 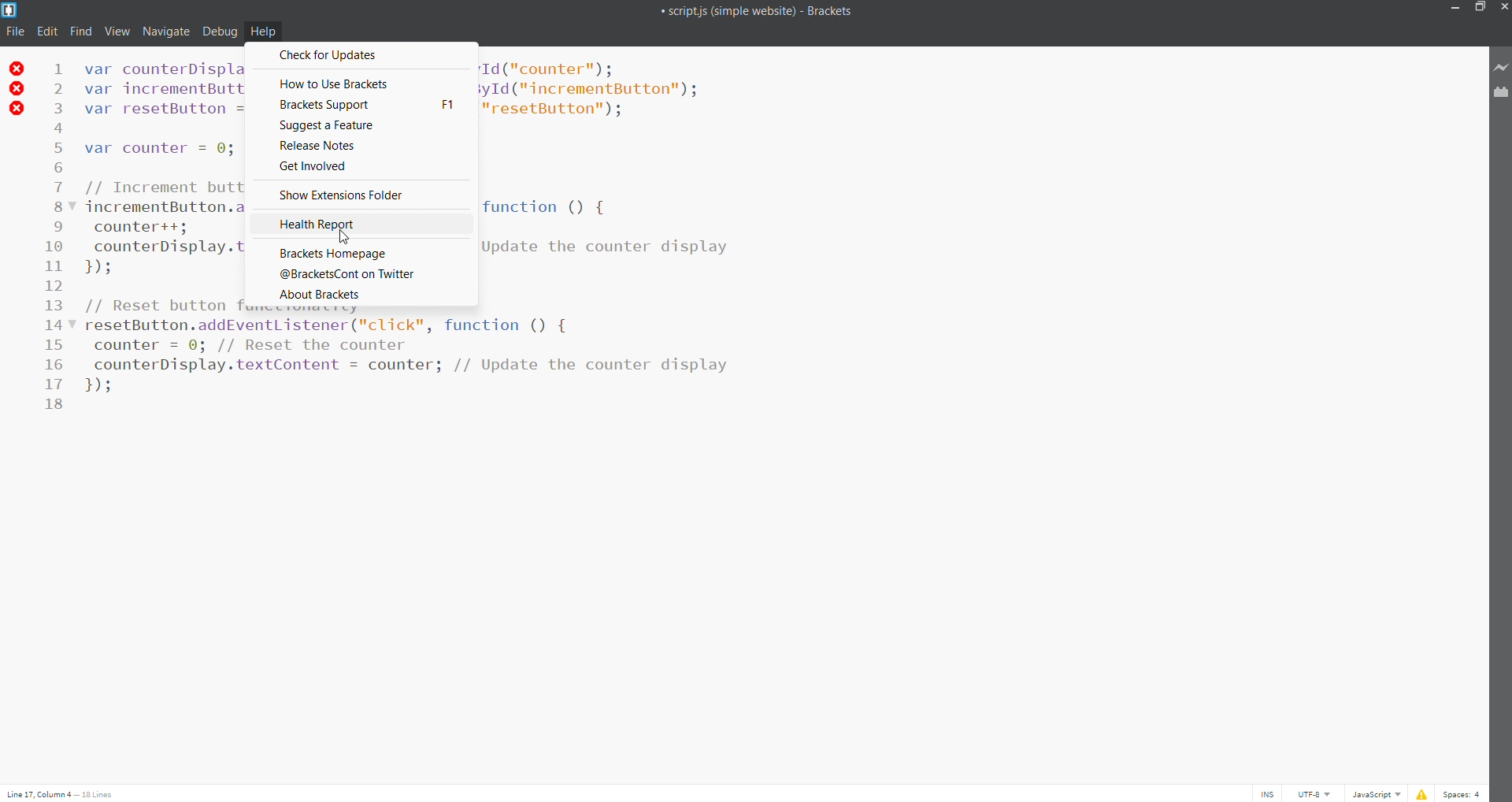 I want to click on space count, so click(x=1462, y=793).